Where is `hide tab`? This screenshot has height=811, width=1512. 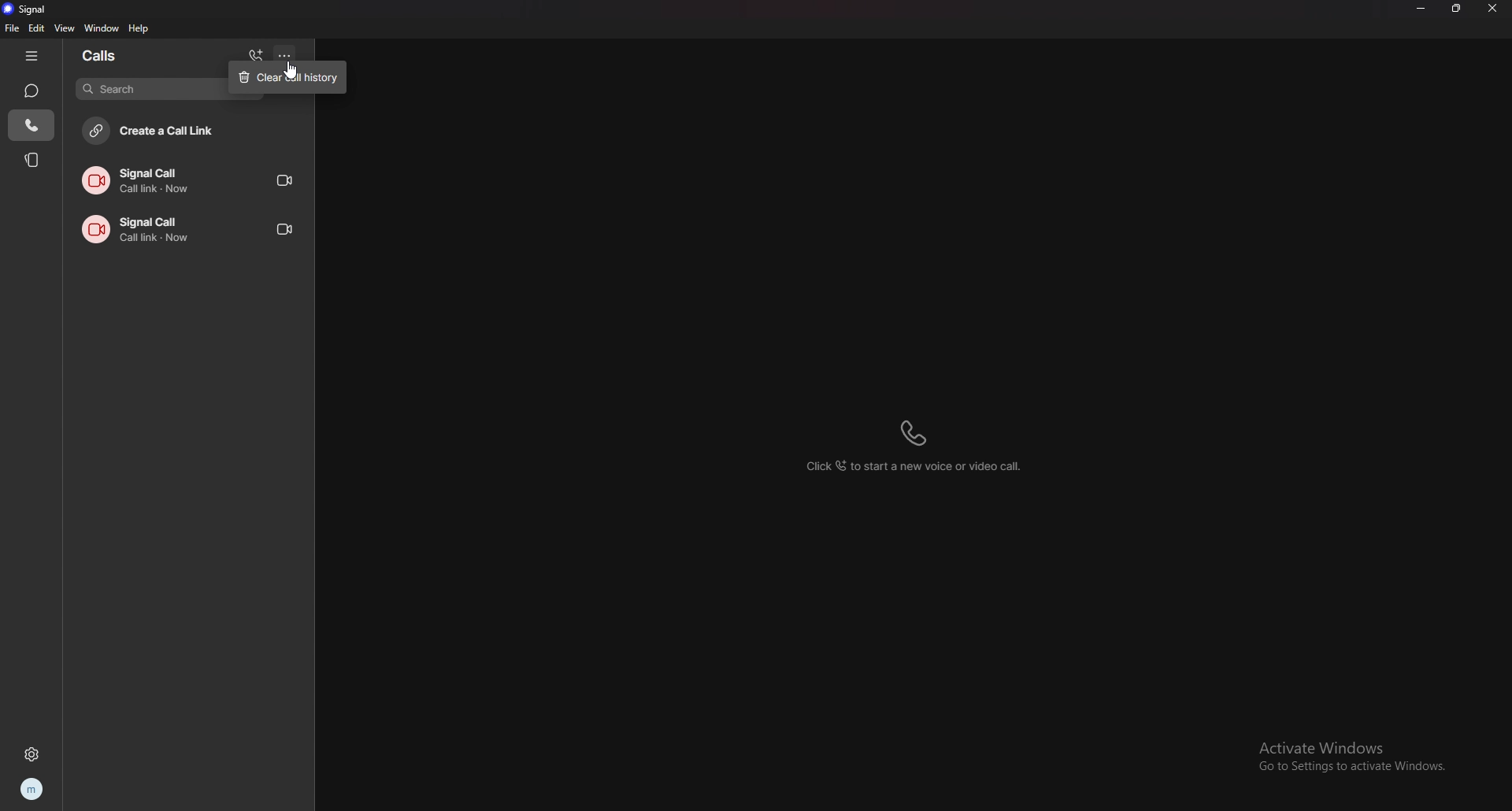 hide tab is located at coordinates (32, 54).